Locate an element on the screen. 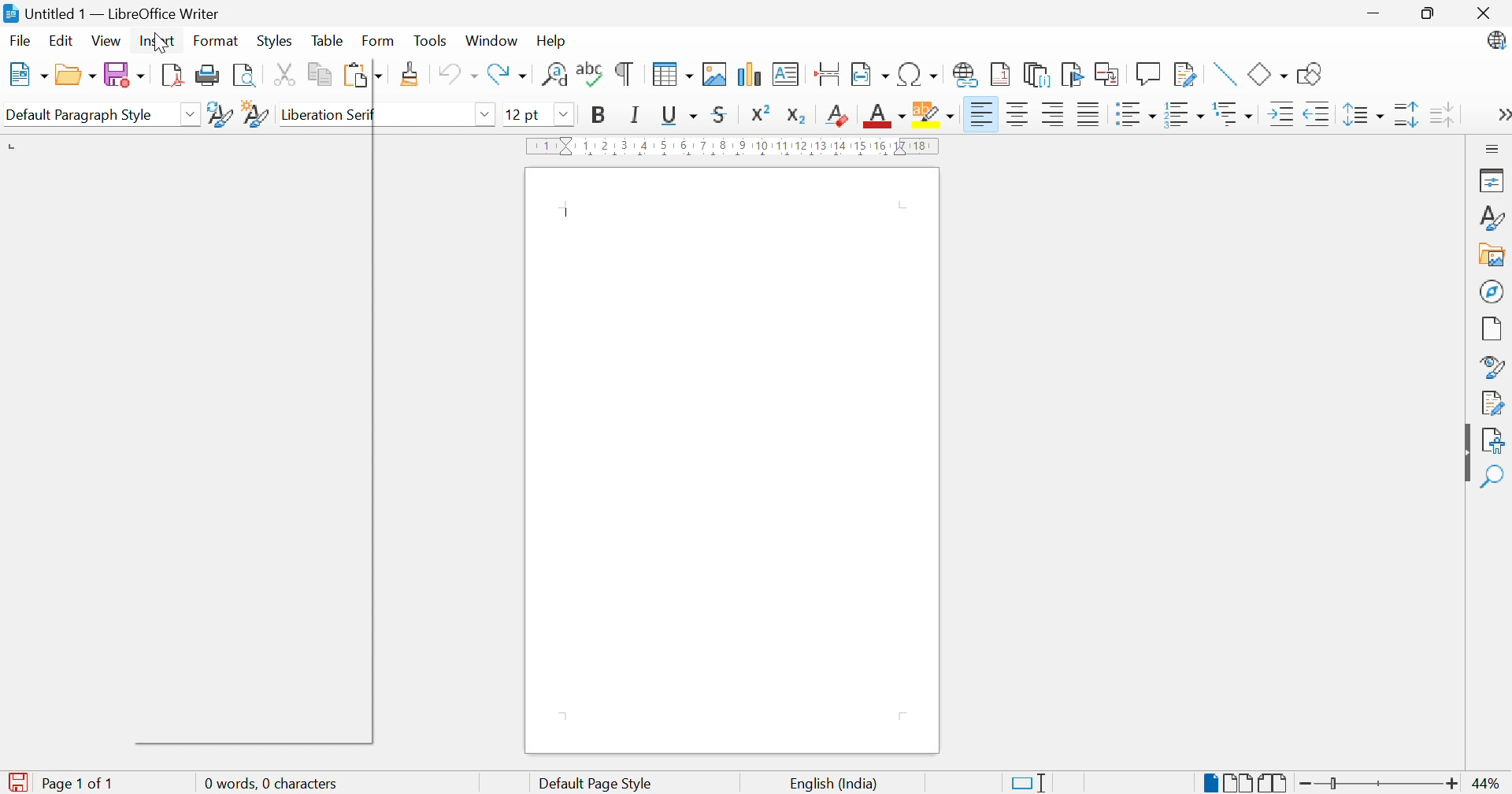 This screenshot has width=1512, height=794. Multiple-page view is located at coordinates (1242, 784).